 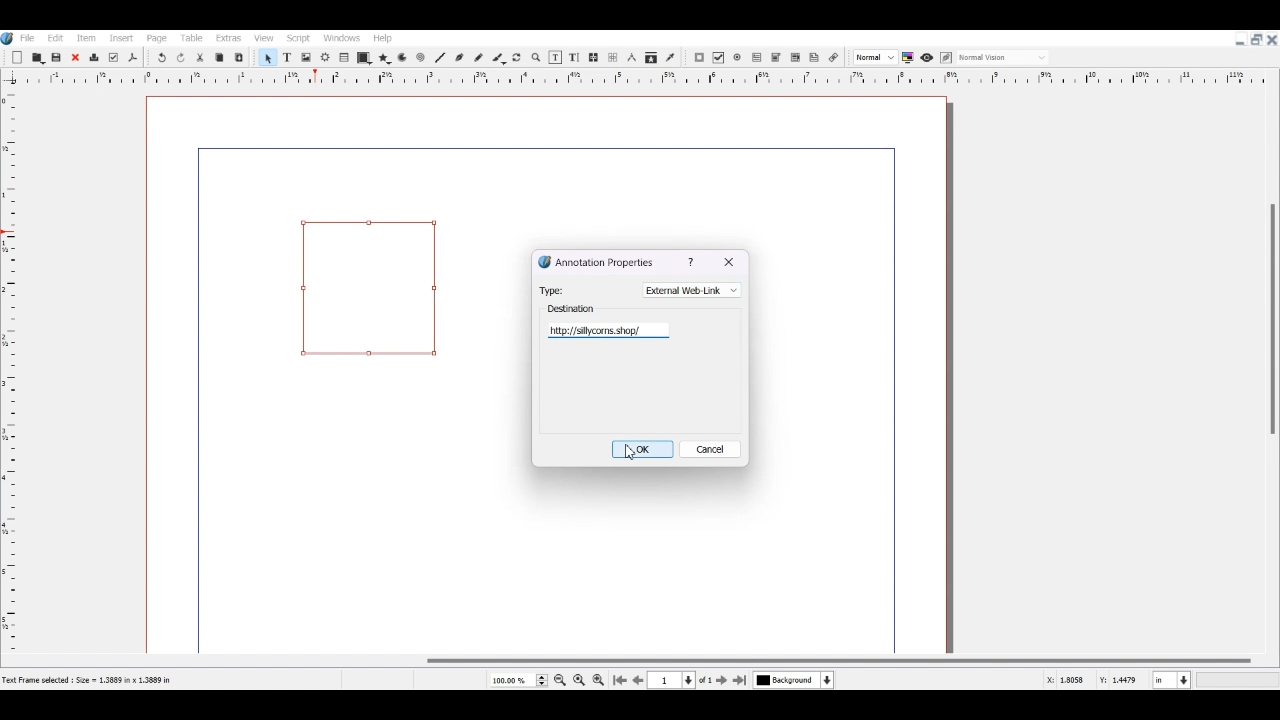 I want to click on Horizontal Scroll bar, so click(x=640, y=661).